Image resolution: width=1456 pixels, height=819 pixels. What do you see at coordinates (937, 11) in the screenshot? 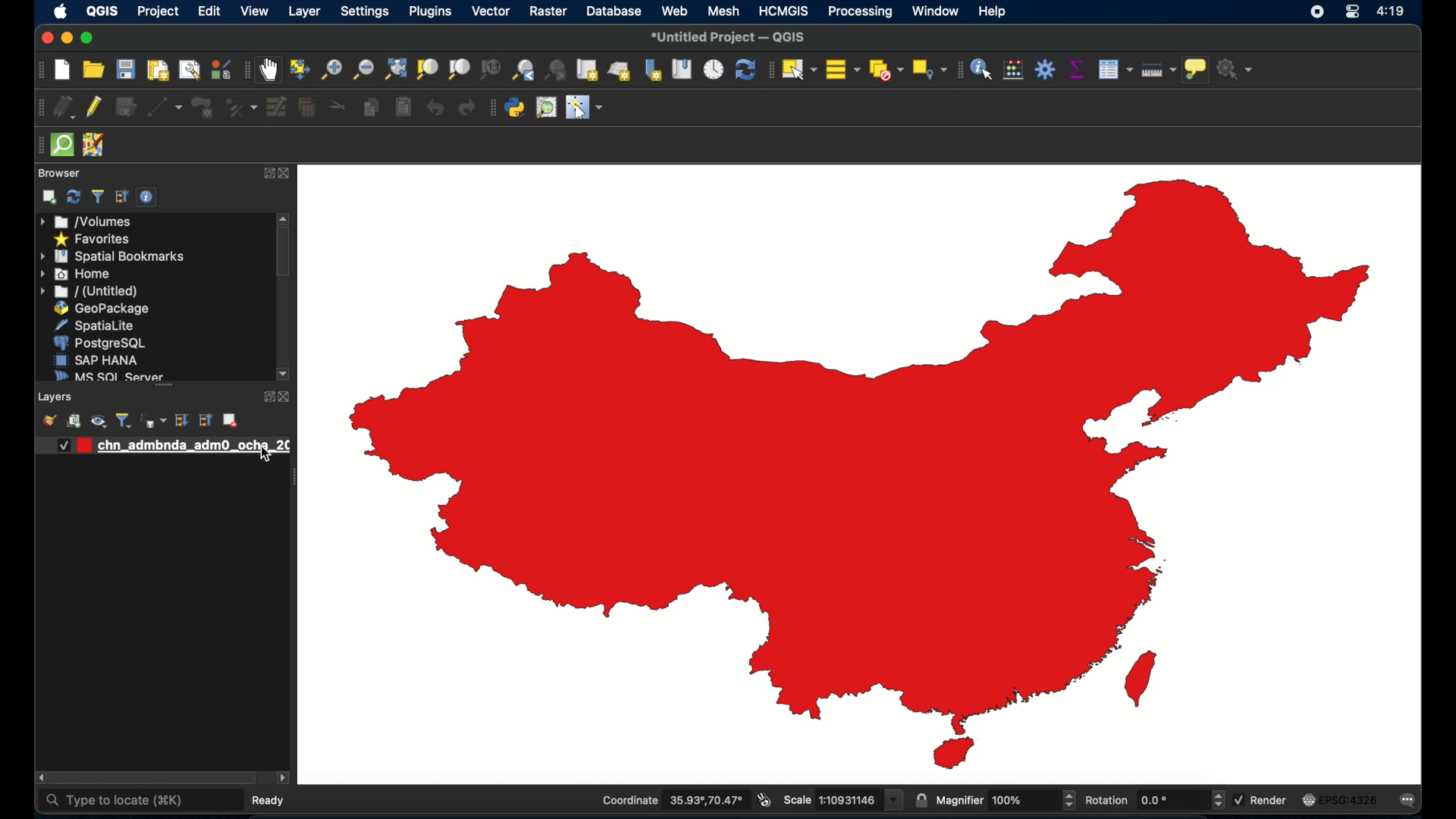
I see `window` at bounding box center [937, 11].